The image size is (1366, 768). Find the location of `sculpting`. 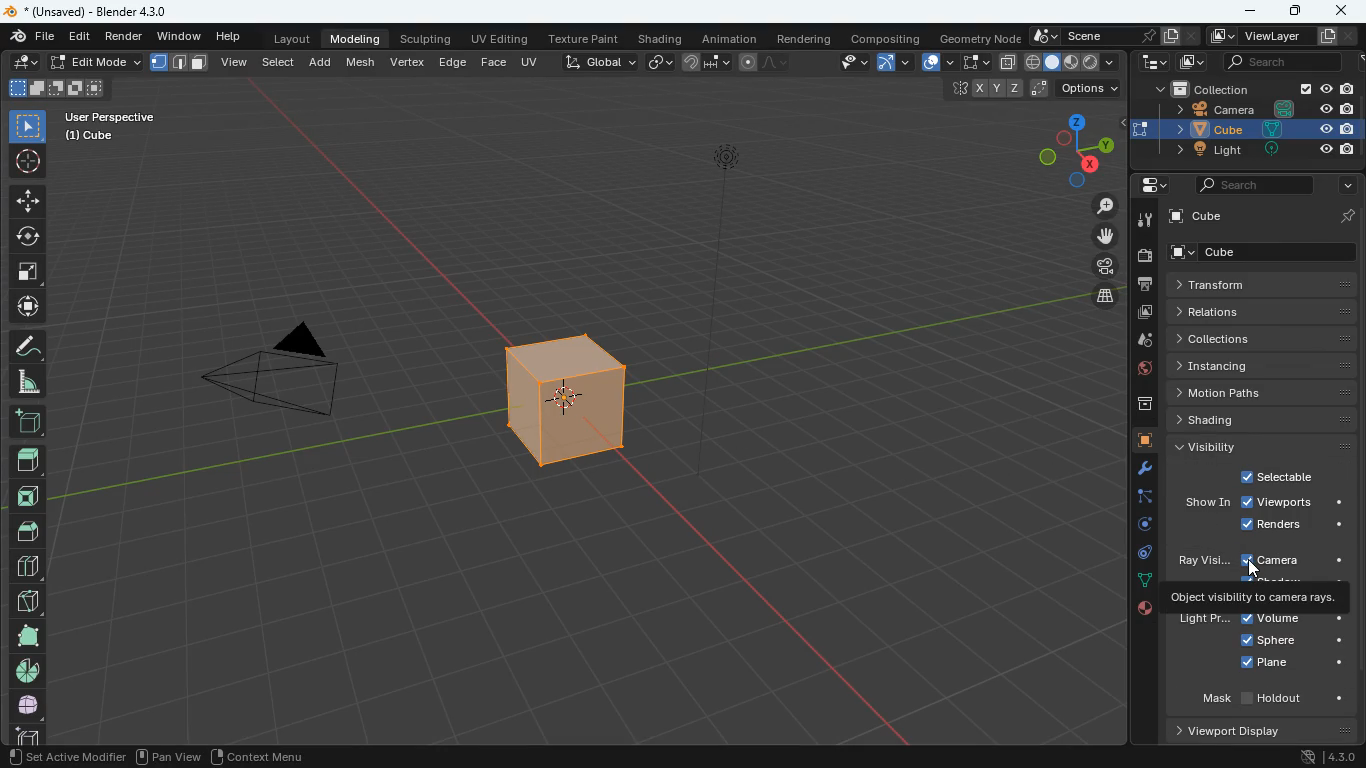

sculpting is located at coordinates (427, 40).